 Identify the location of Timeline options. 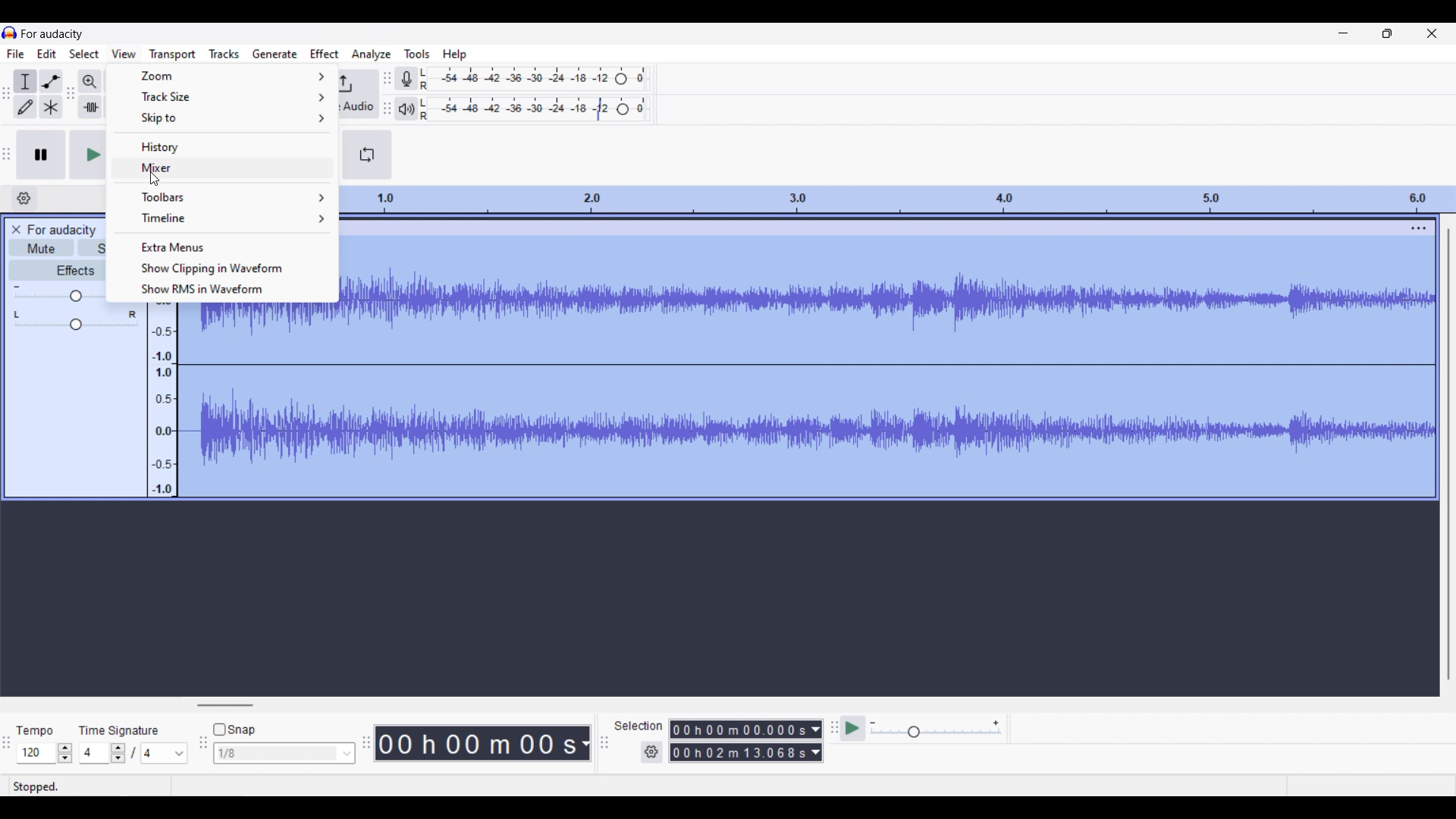
(223, 218).